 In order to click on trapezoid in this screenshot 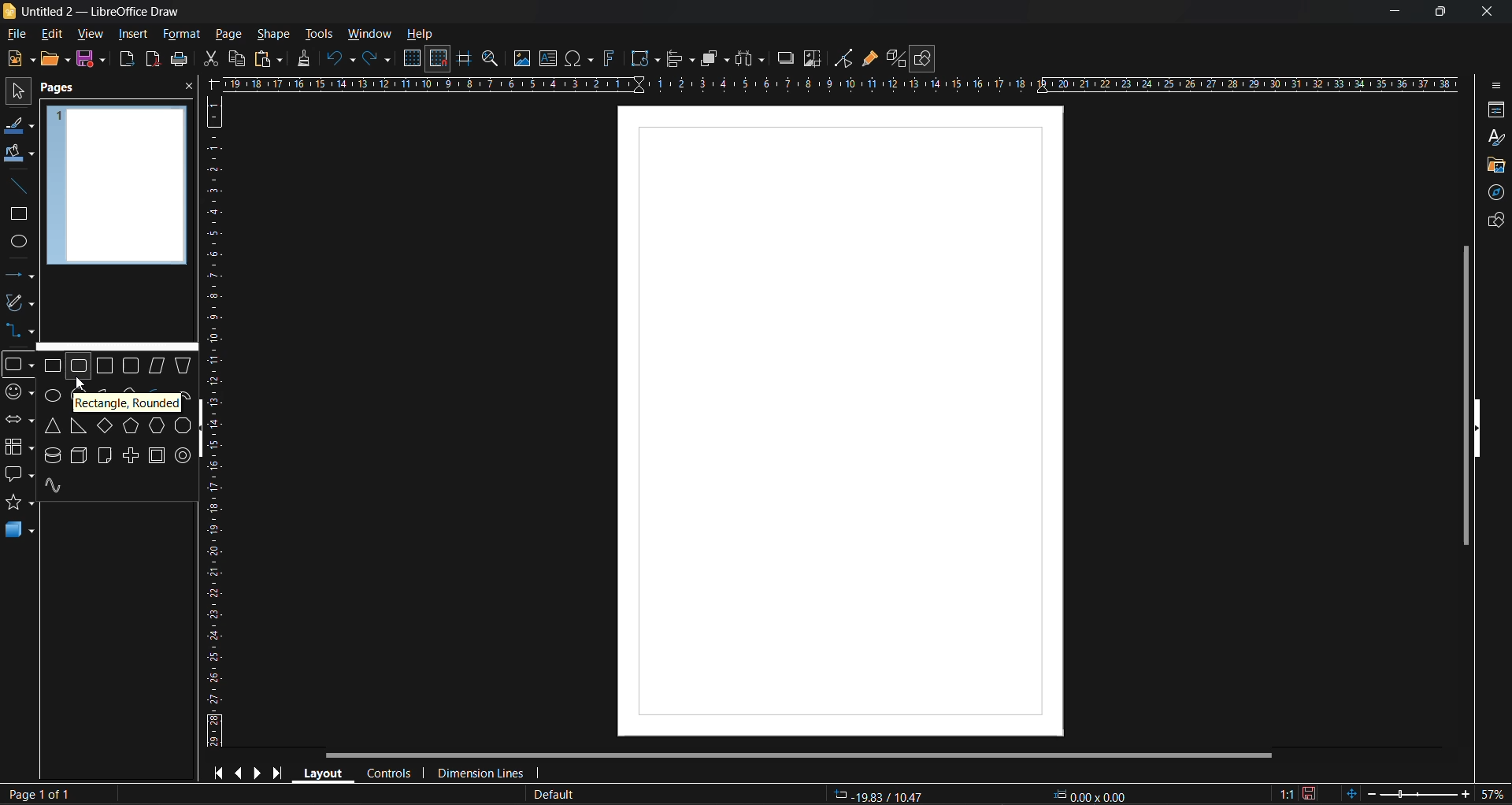, I will do `click(186, 364)`.